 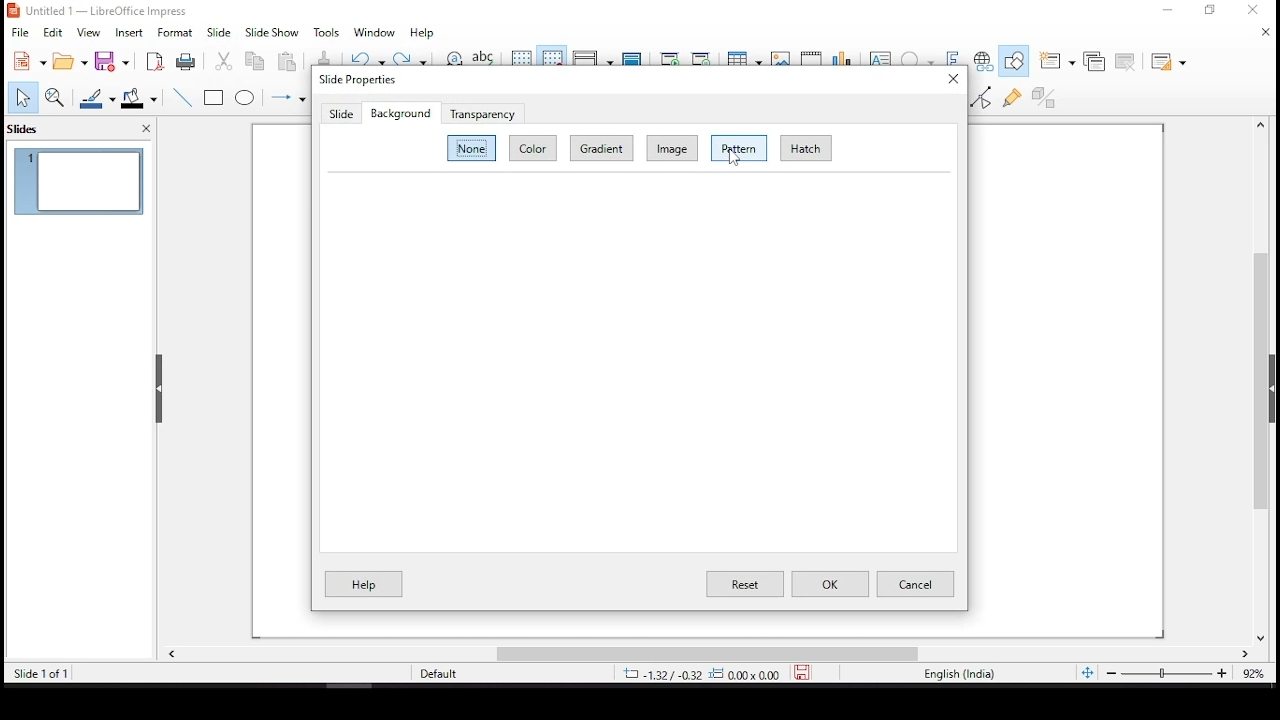 What do you see at coordinates (697, 674) in the screenshot?
I see `-1.32/-0.32` at bounding box center [697, 674].